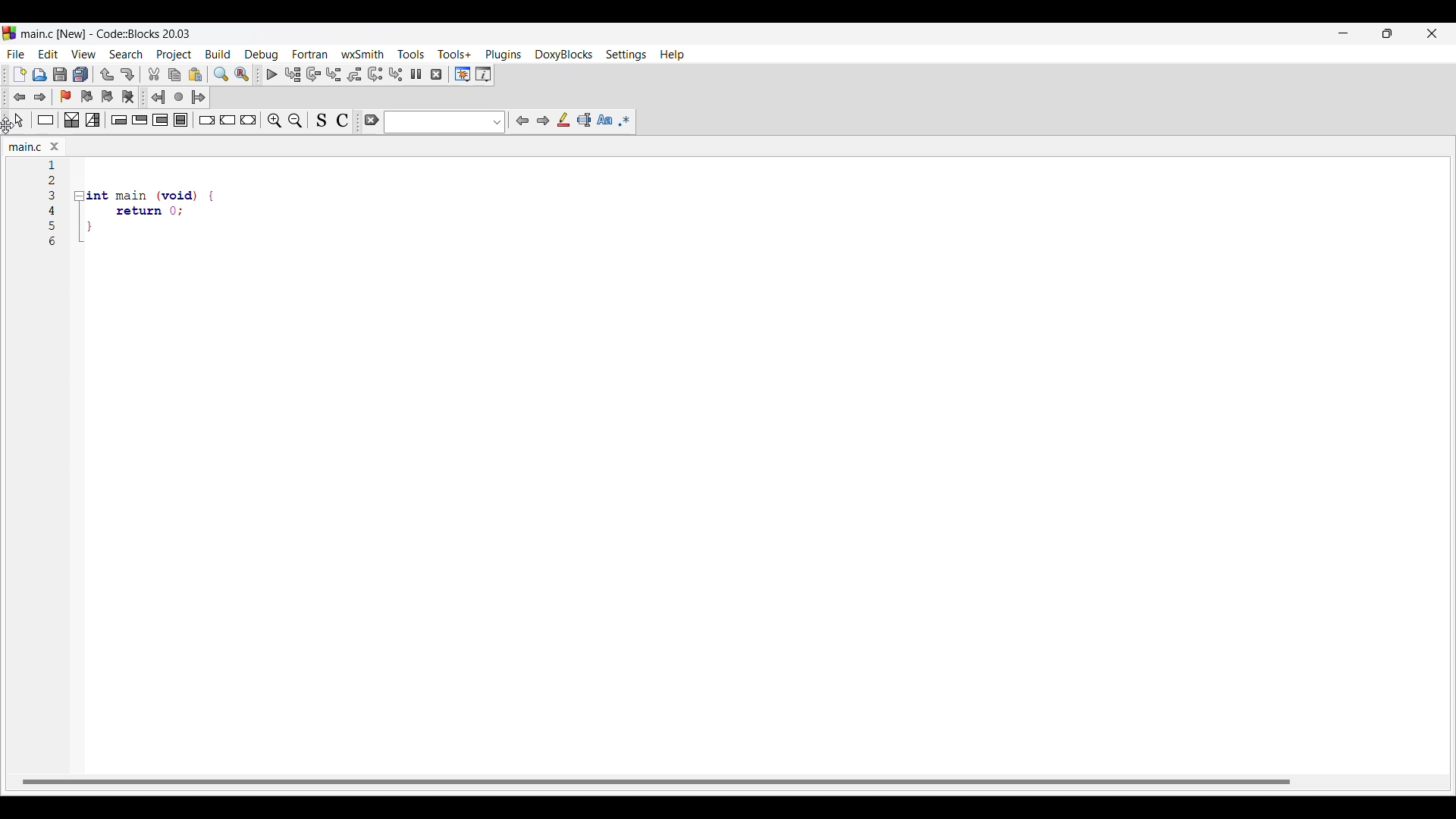  Describe the element at coordinates (84, 54) in the screenshot. I see `View menu` at that location.